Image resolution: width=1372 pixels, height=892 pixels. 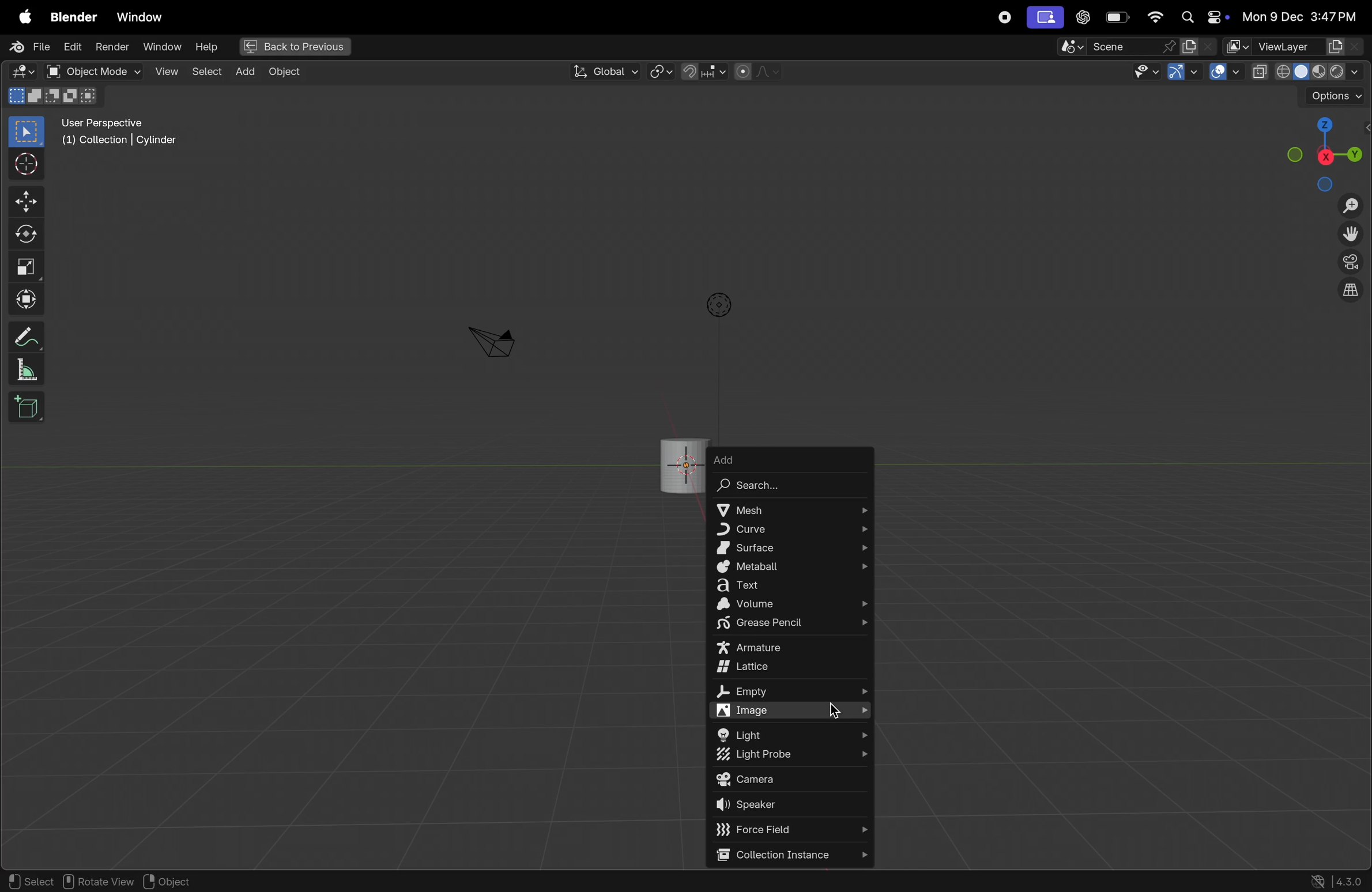 I want to click on overlays, so click(x=1222, y=72).